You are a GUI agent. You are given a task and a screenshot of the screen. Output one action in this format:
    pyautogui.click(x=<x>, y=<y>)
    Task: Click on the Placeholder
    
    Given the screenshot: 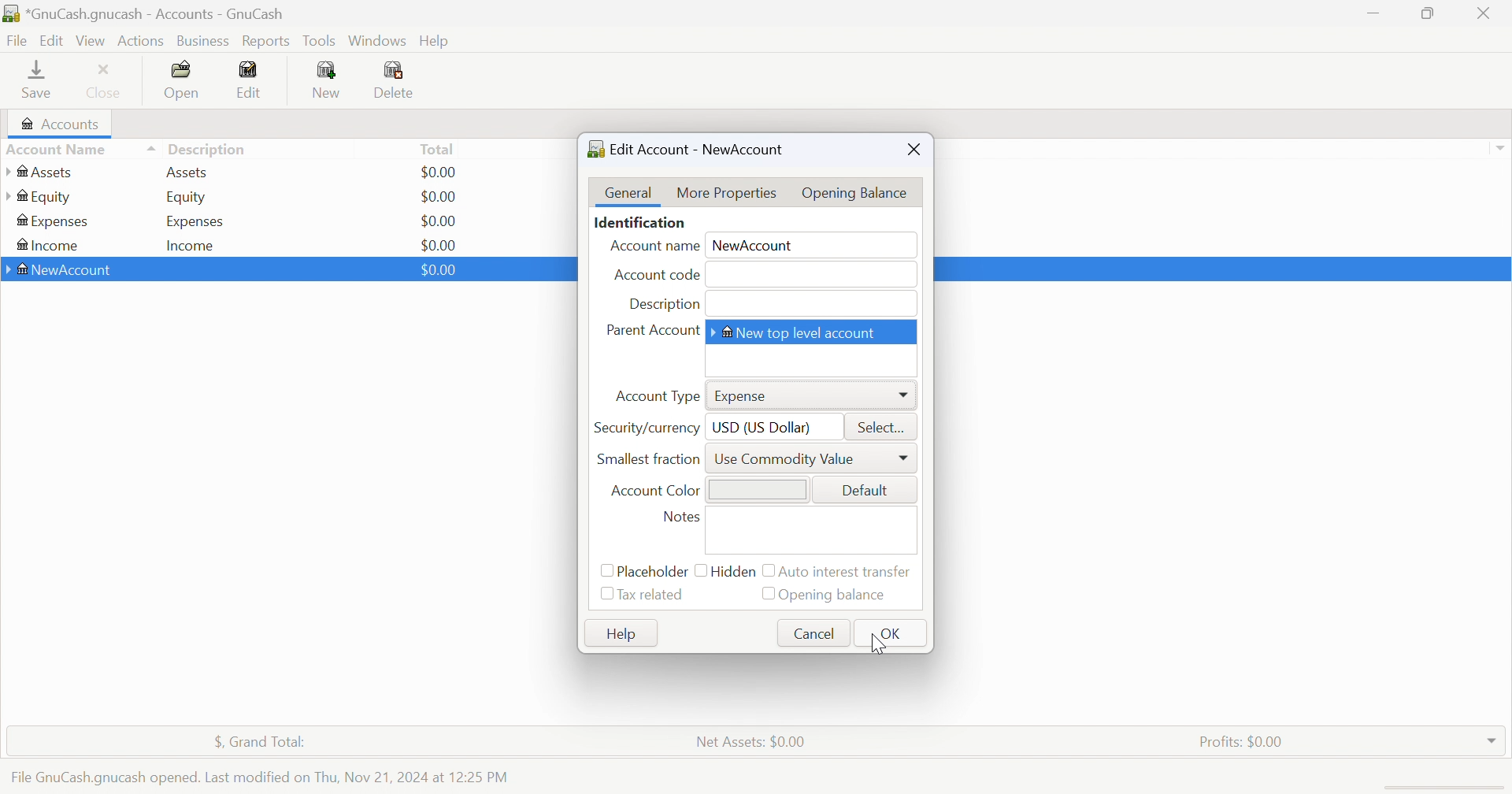 What is the action you would take?
    pyautogui.click(x=651, y=572)
    